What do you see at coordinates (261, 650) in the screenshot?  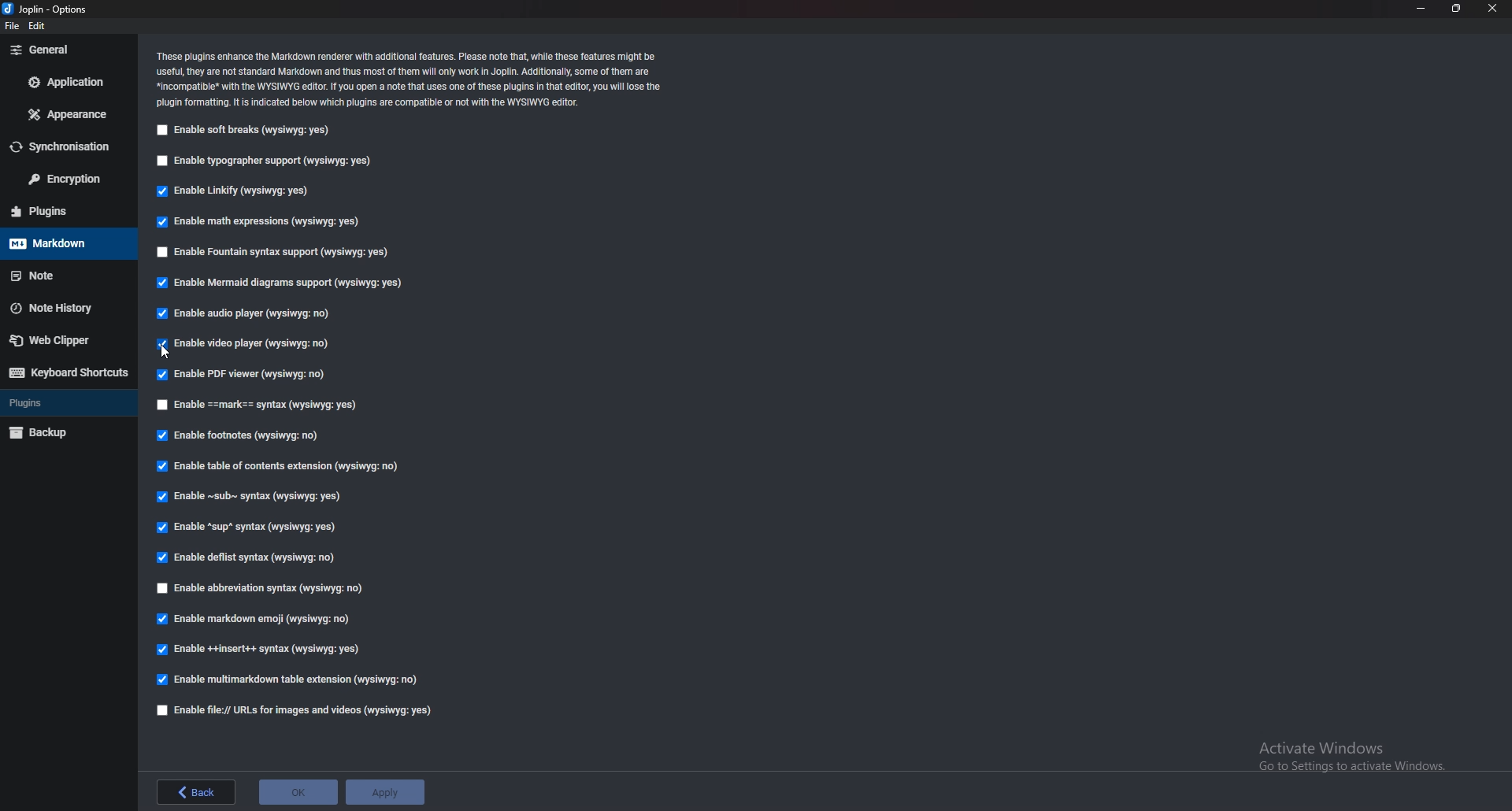 I see `enable insert syntax (wysiqyg:yes)` at bounding box center [261, 650].